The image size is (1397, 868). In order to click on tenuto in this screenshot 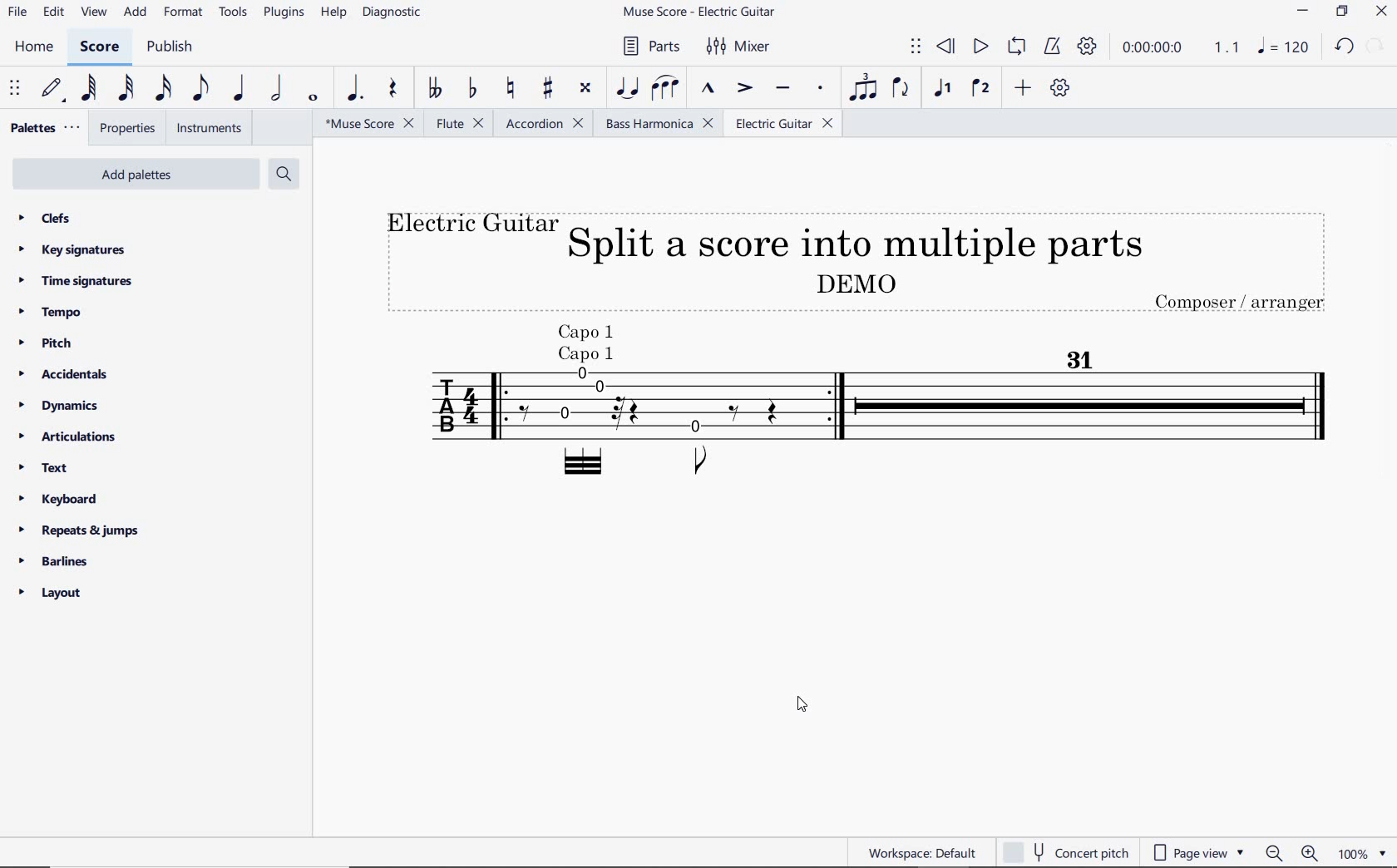, I will do `click(782, 89)`.